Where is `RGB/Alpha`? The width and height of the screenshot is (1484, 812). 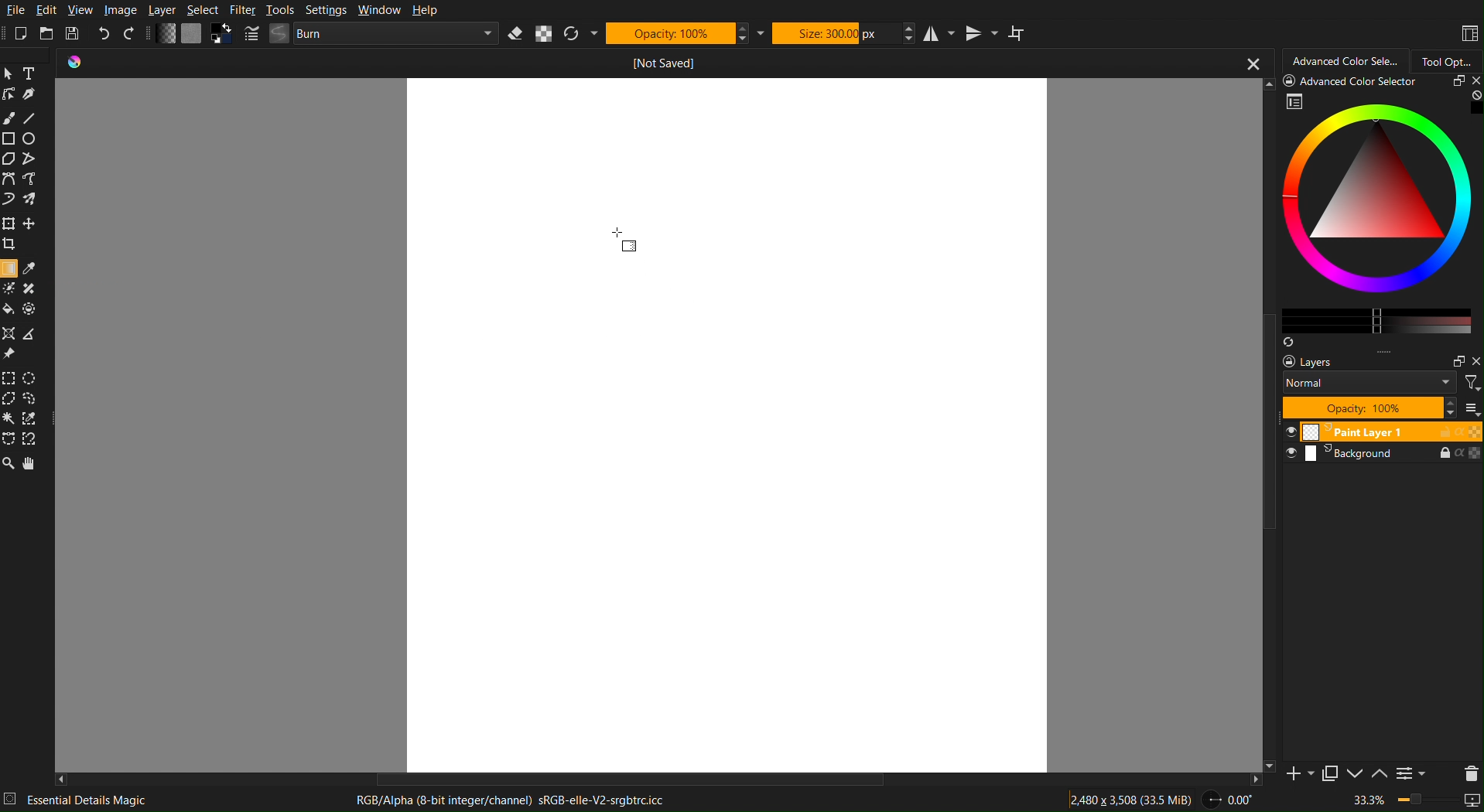
RGB/Alpha is located at coordinates (517, 800).